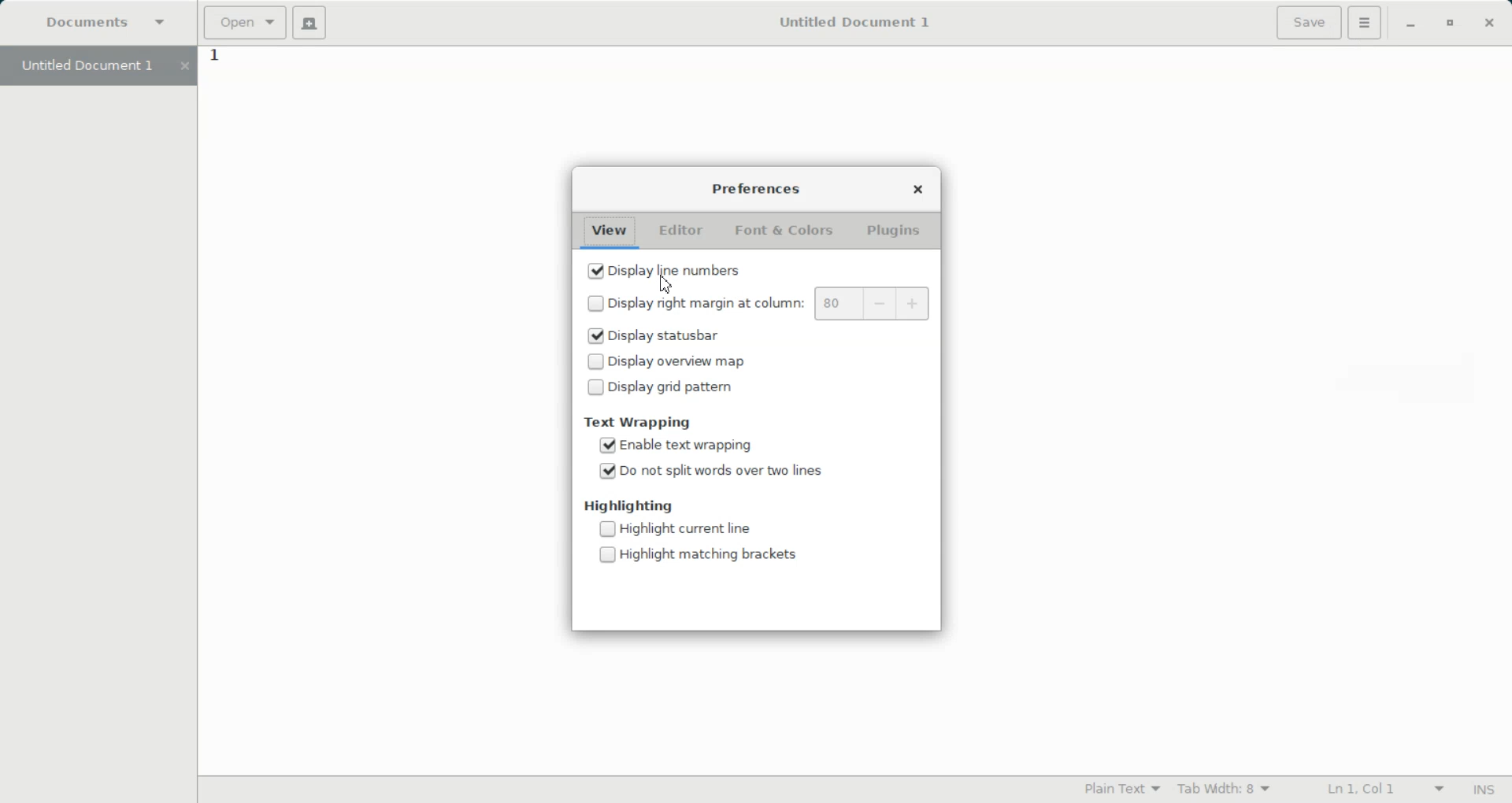 The height and width of the screenshot is (803, 1512). I want to click on Open a file, so click(246, 23).